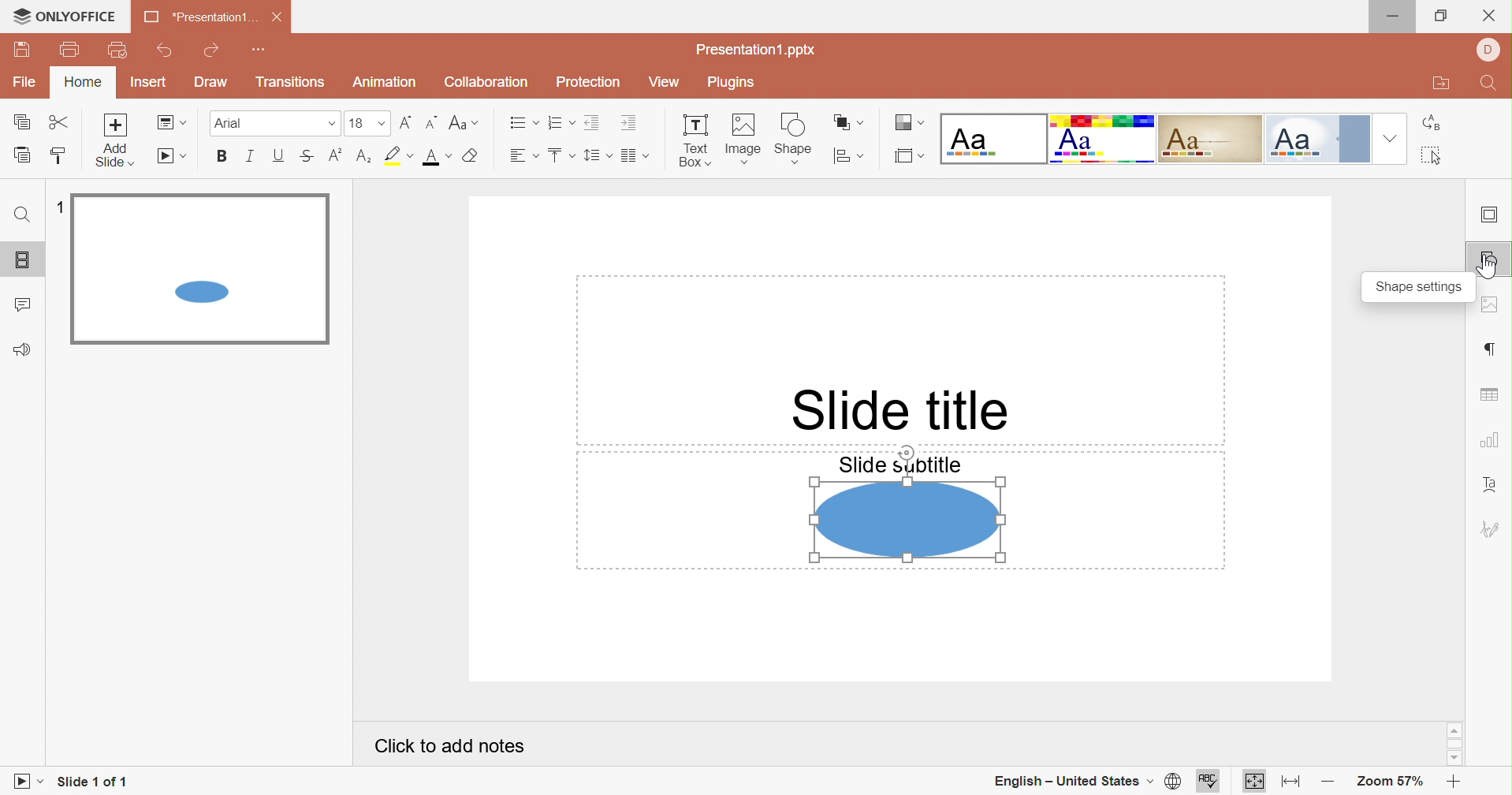  Describe the element at coordinates (735, 82) in the screenshot. I see `Plugins` at that location.